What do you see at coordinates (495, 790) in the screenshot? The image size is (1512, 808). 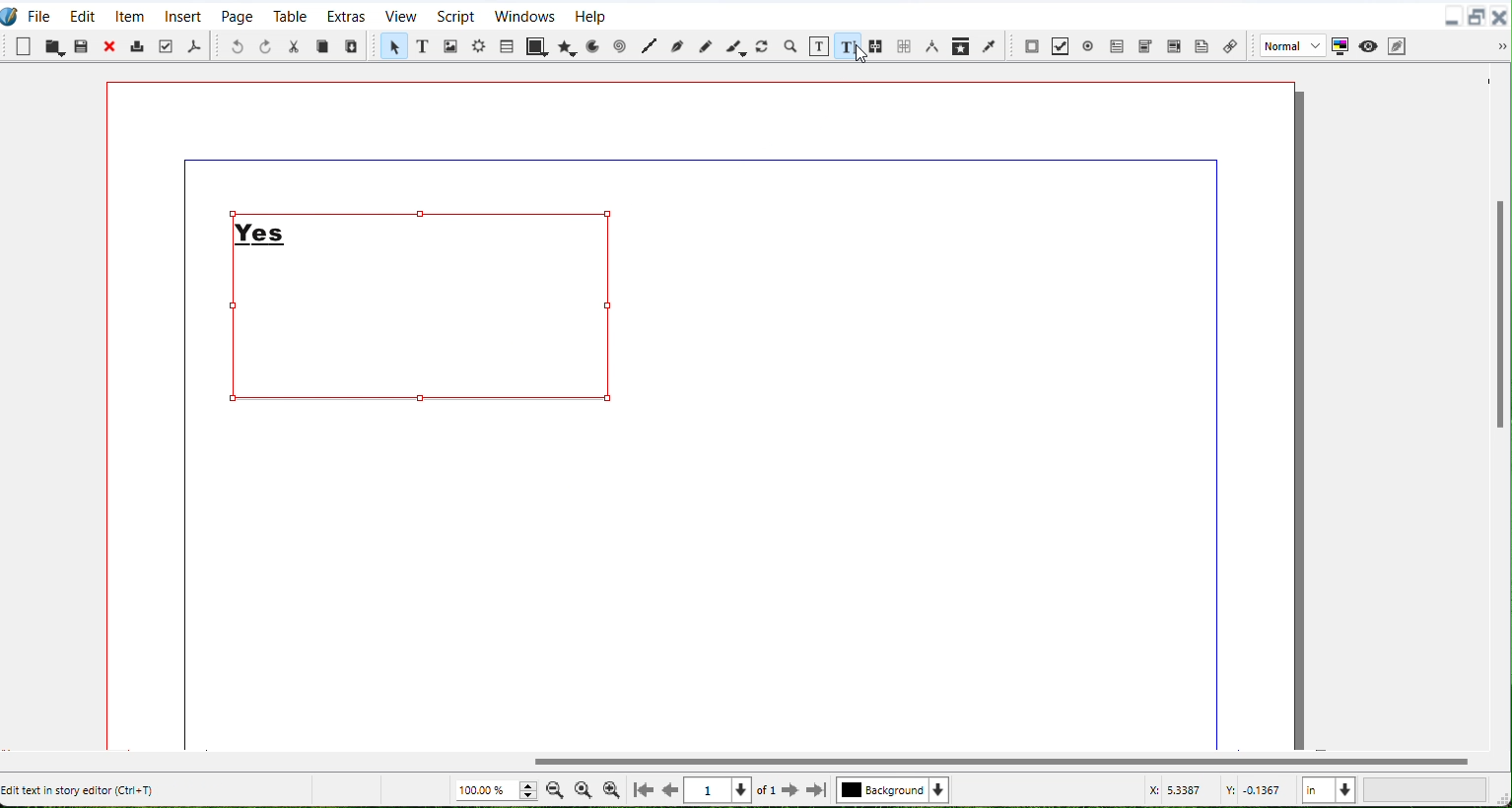 I see `Zoom adjuster` at bounding box center [495, 790].